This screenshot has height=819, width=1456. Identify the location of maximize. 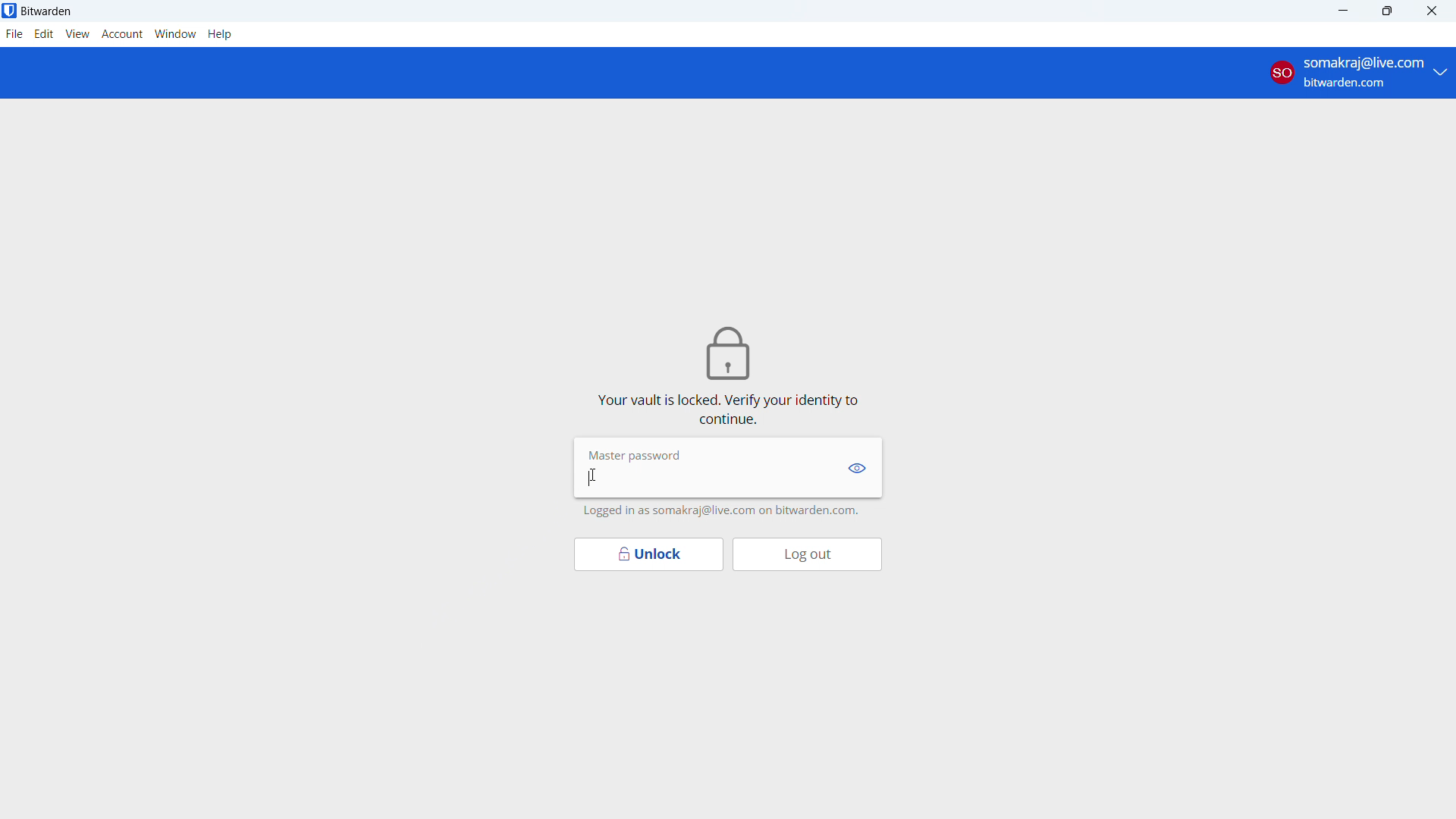
(1387, 11).